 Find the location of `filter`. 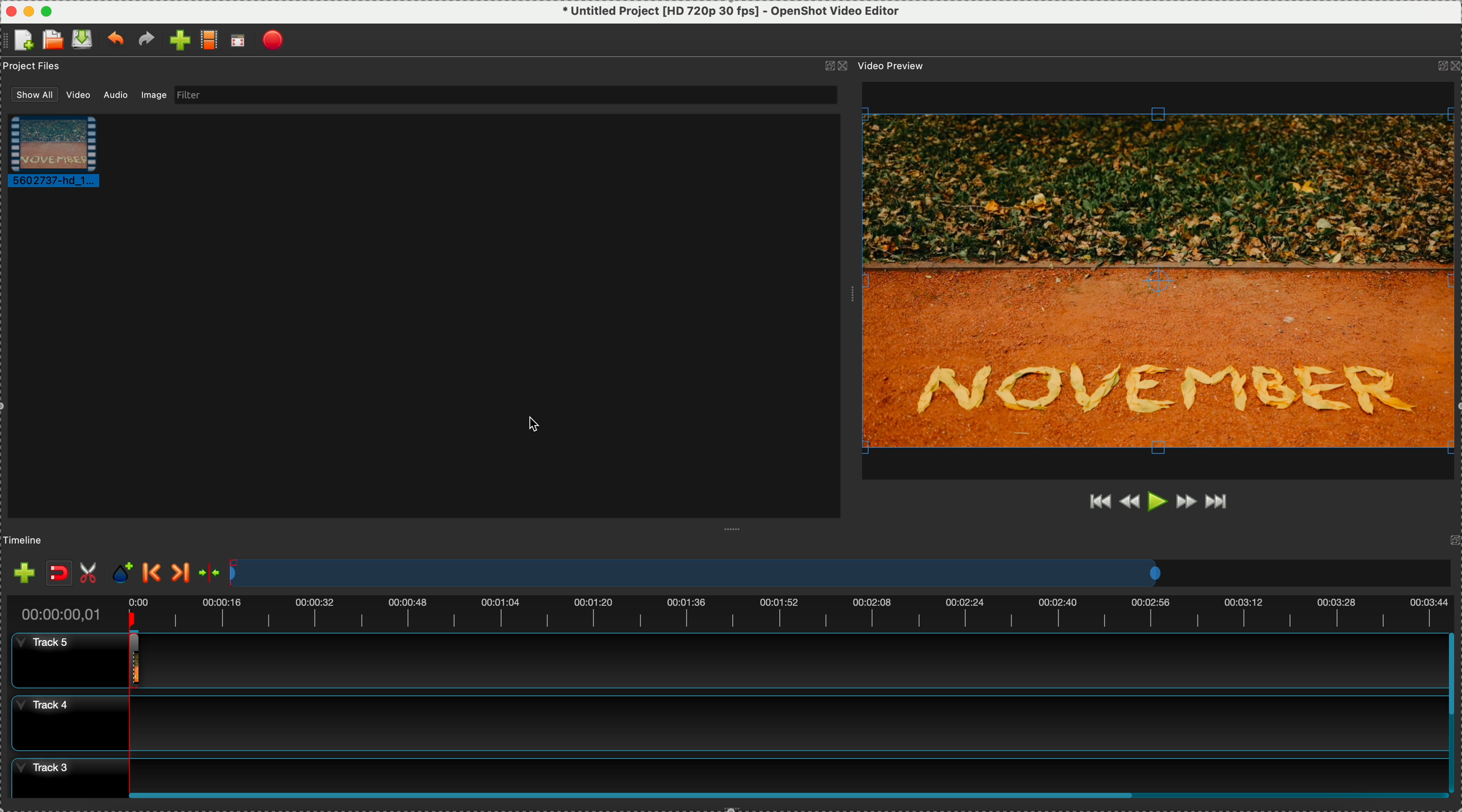

filter is located at coordinates (506, 95).